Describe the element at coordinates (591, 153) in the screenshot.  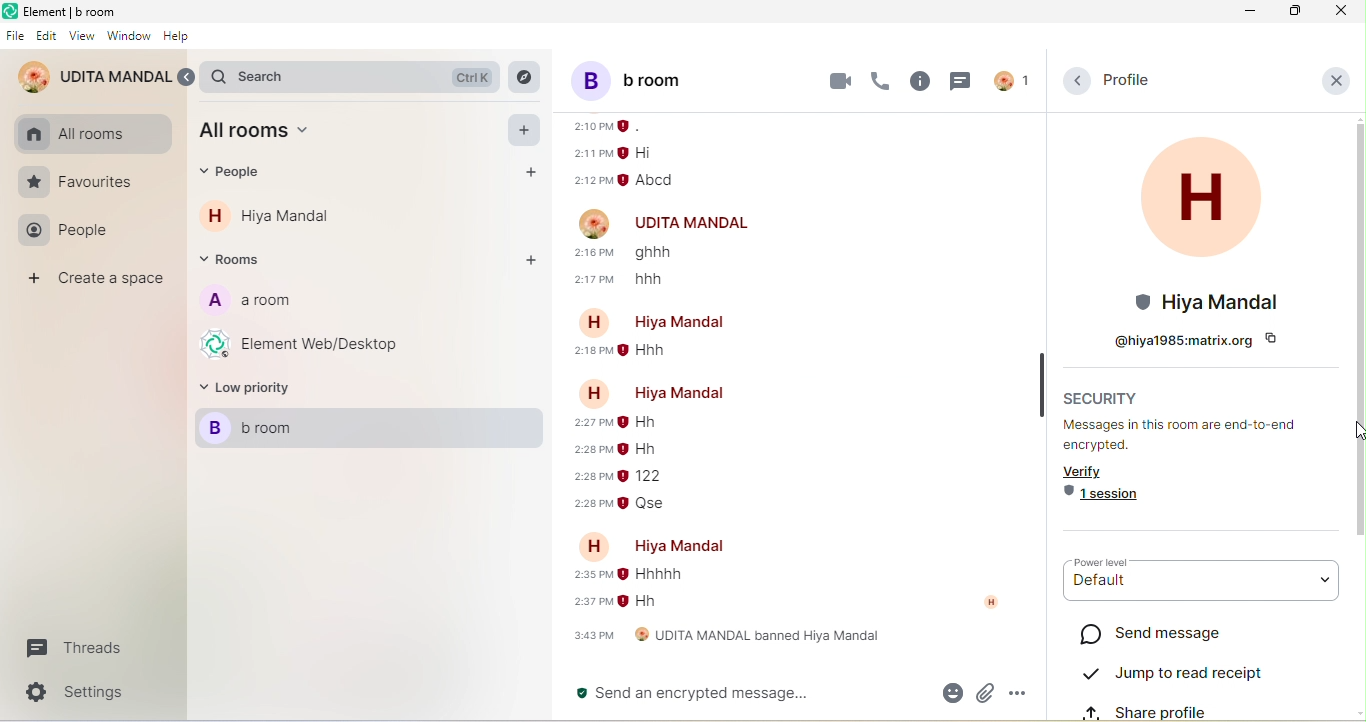
I see `time of message sending` at that location.